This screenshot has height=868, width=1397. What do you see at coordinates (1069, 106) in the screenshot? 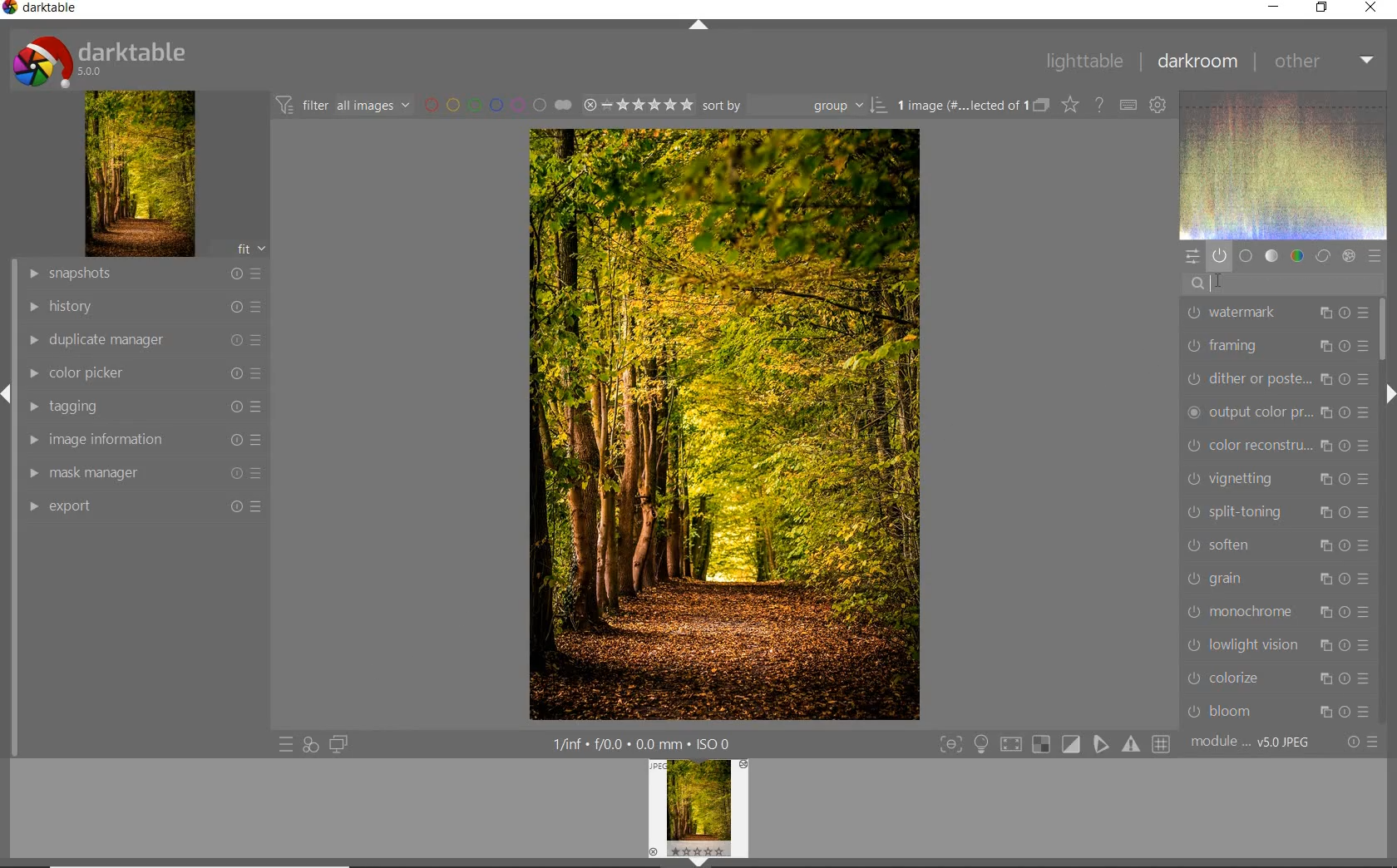
I see `change type of overlay` at bounding box center [1069, 106].